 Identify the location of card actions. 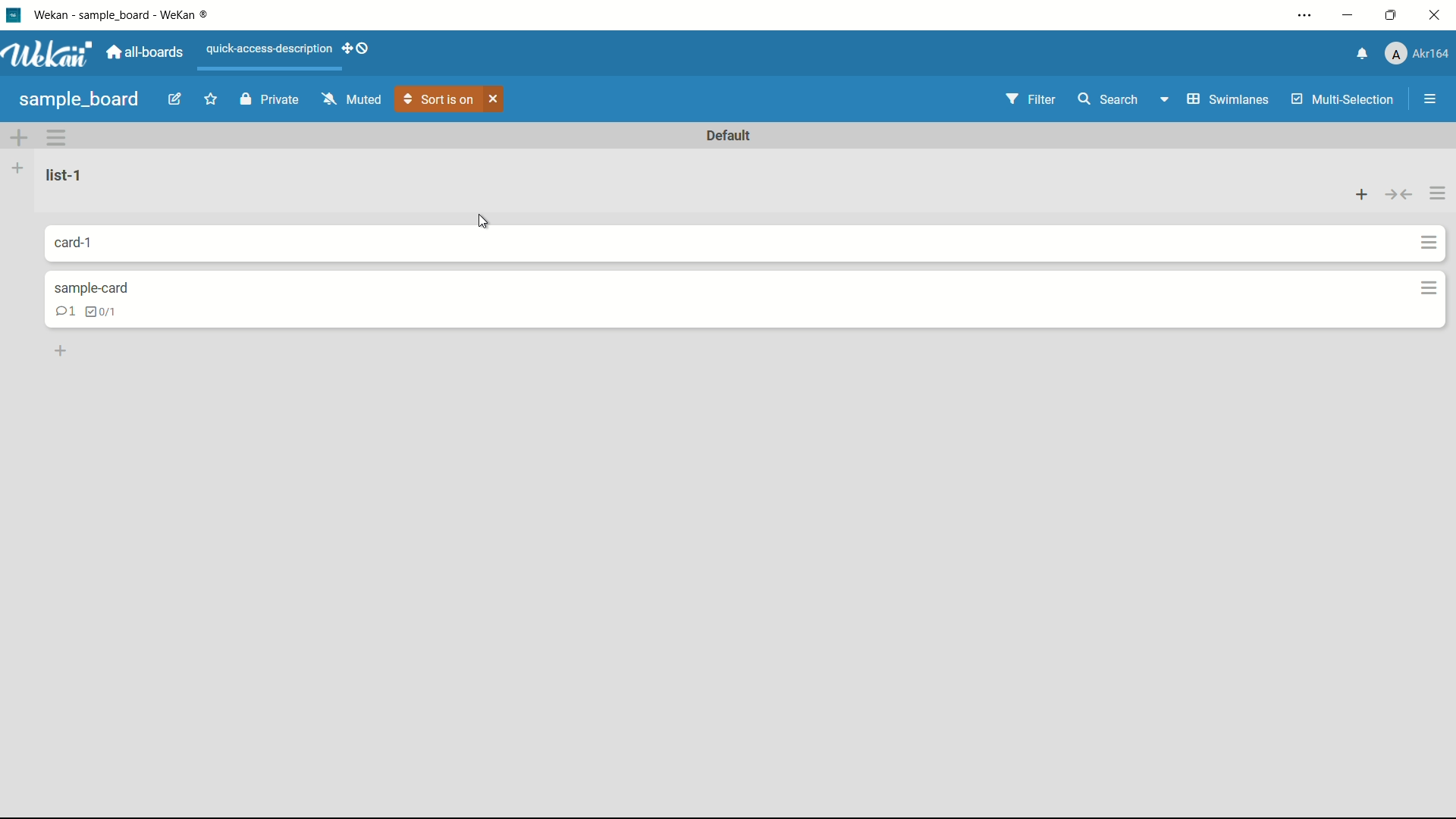
(56, 136).